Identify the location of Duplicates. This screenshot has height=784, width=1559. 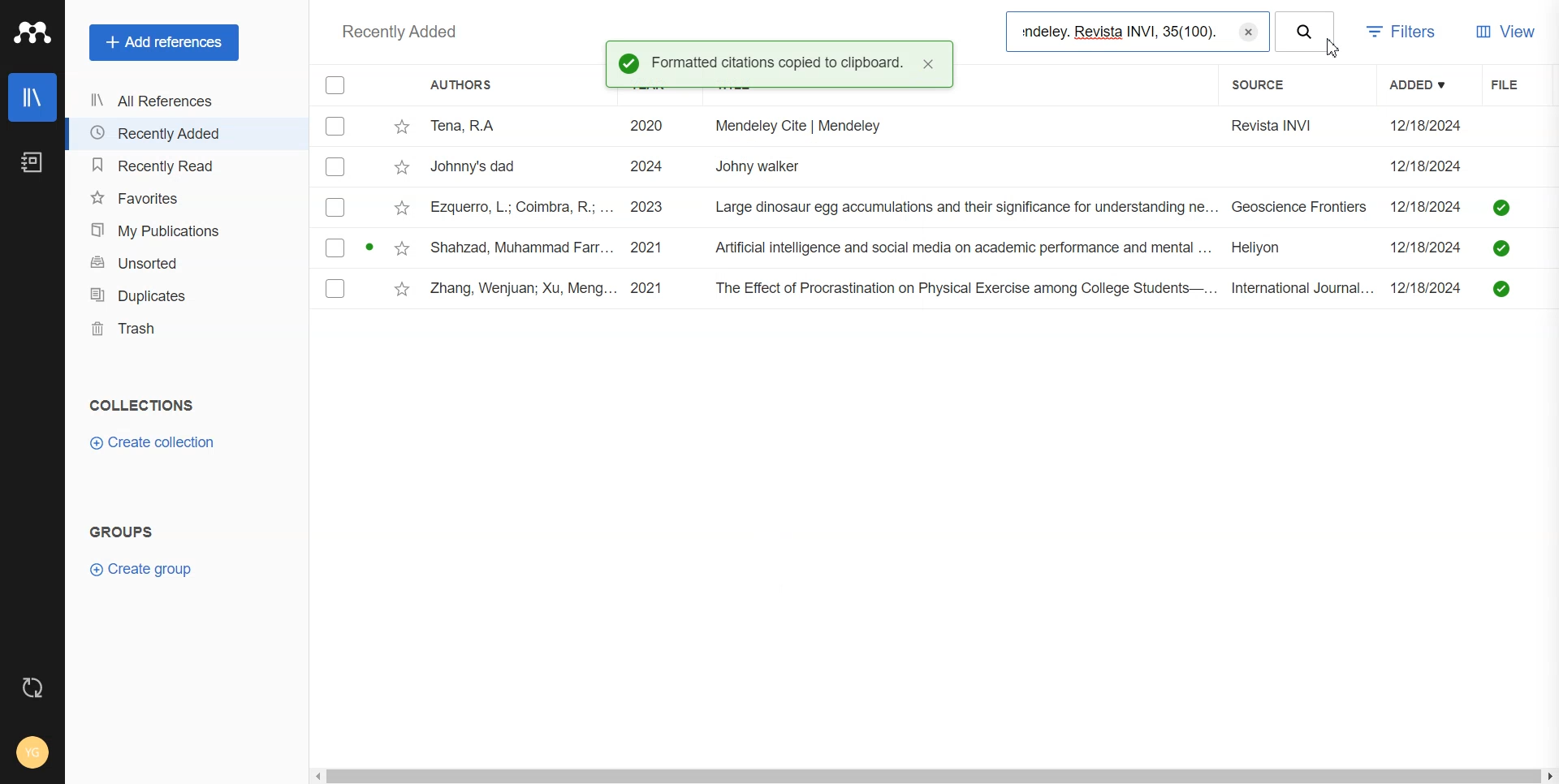
(188, 295).